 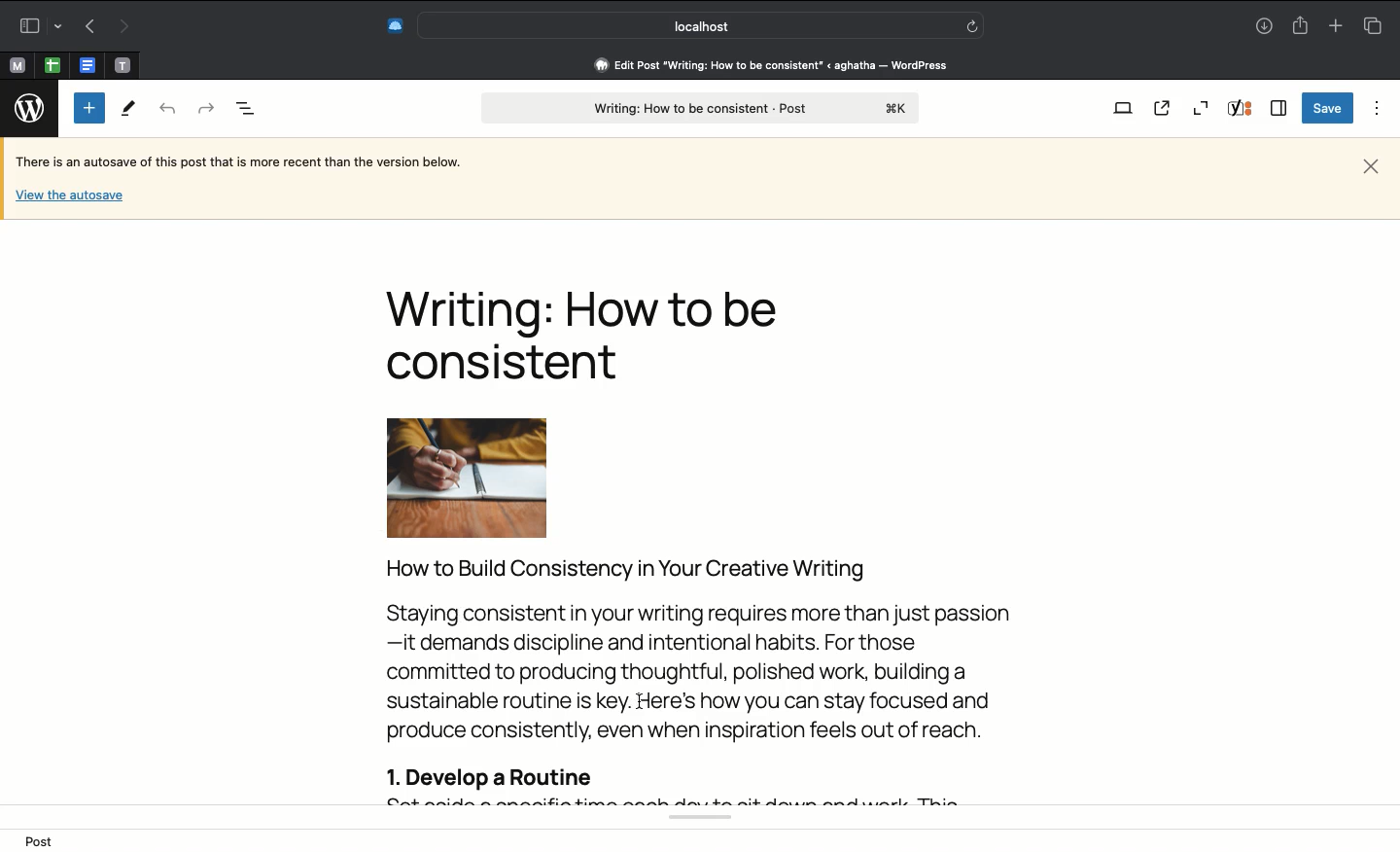 What do you see at coordinates (1371, 164) in the screenshot?
I see `Close` at bounding box center [1371, 164].